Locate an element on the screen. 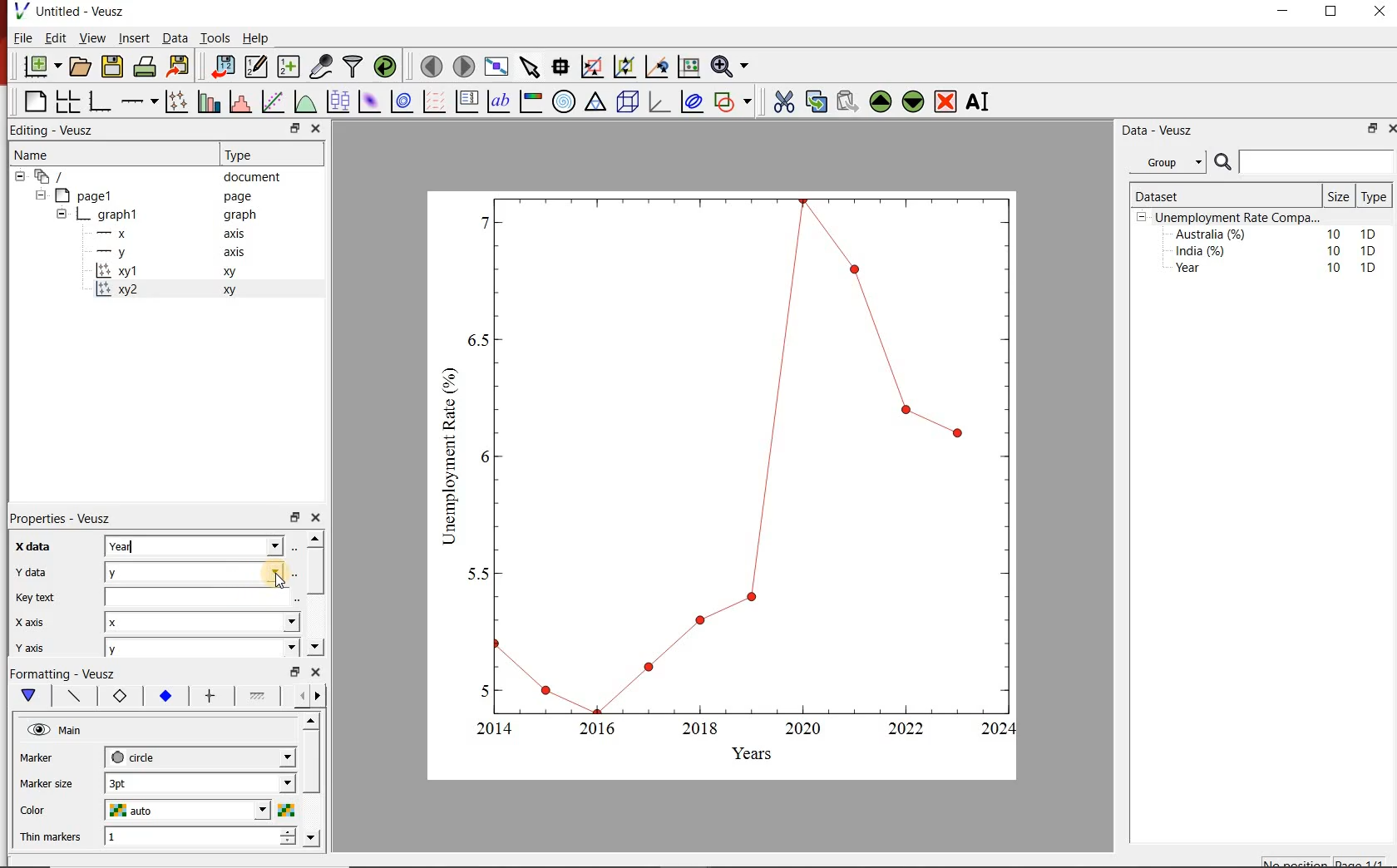  remove the widgets is located at coordinates (945, 101).